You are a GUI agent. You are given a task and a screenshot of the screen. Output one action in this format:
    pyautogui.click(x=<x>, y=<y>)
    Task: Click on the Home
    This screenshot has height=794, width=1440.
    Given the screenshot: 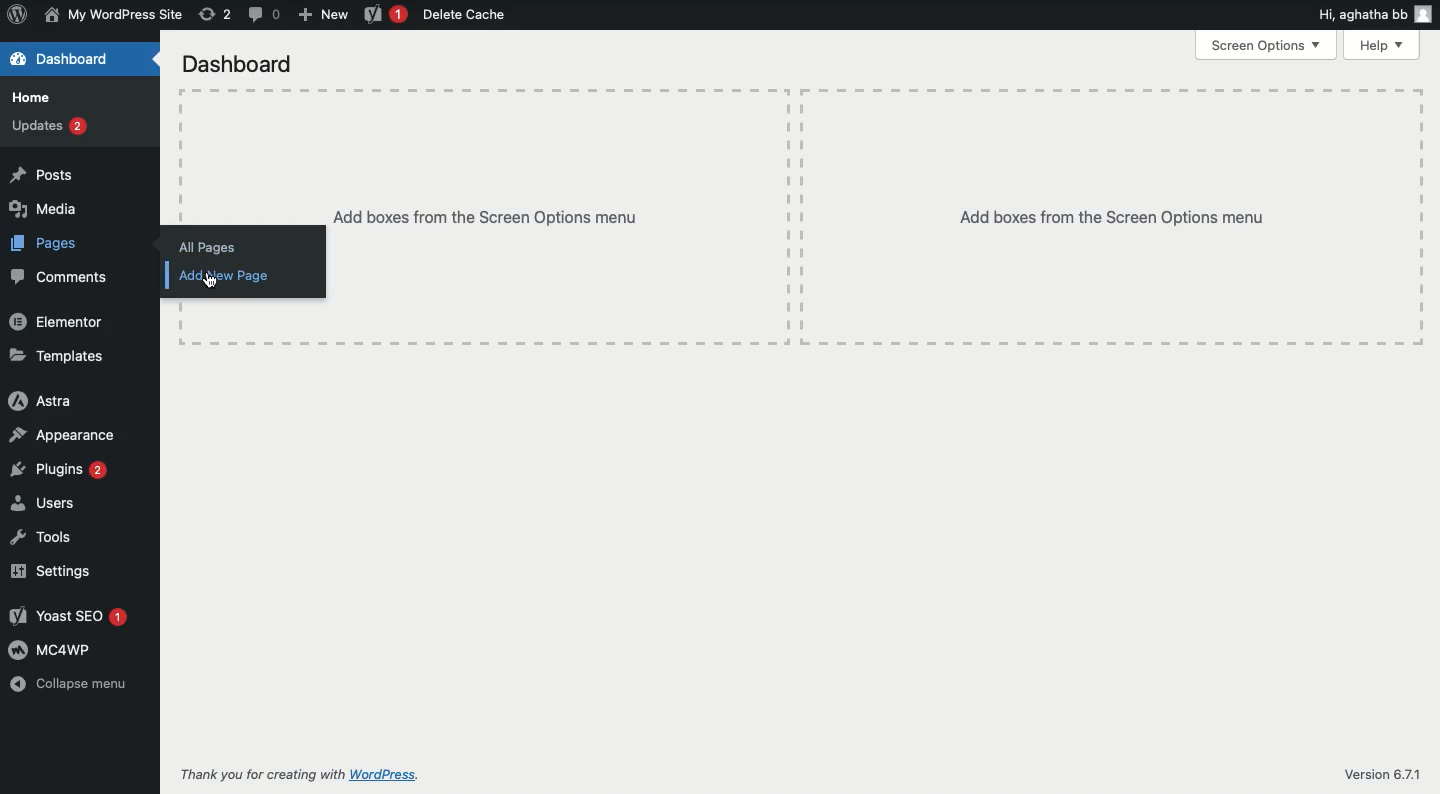 What is the action you would take?
    pyautogui.click(x=30, y=96)
    